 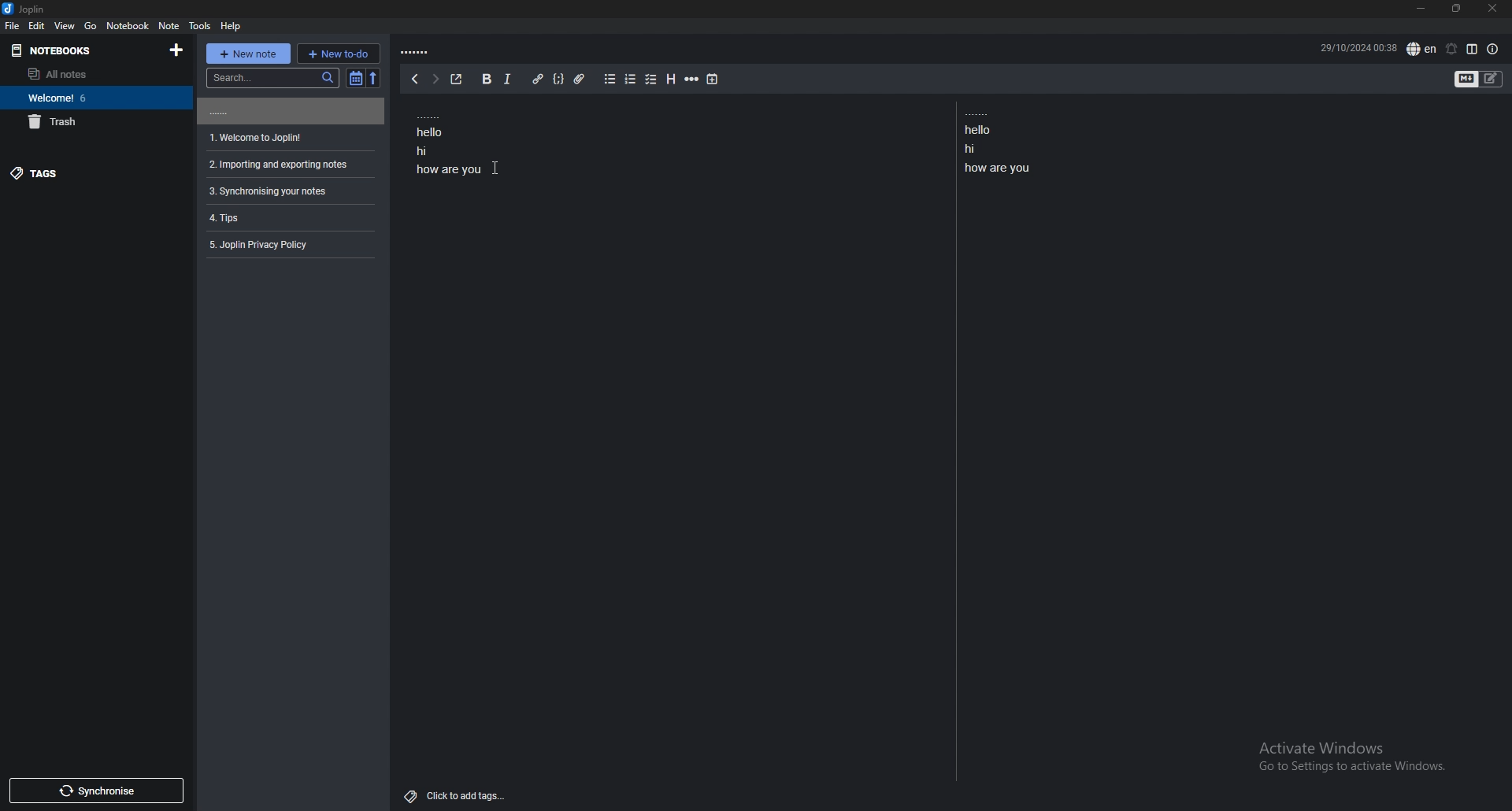 I want to click on all notes, so click(x=88, y=73).